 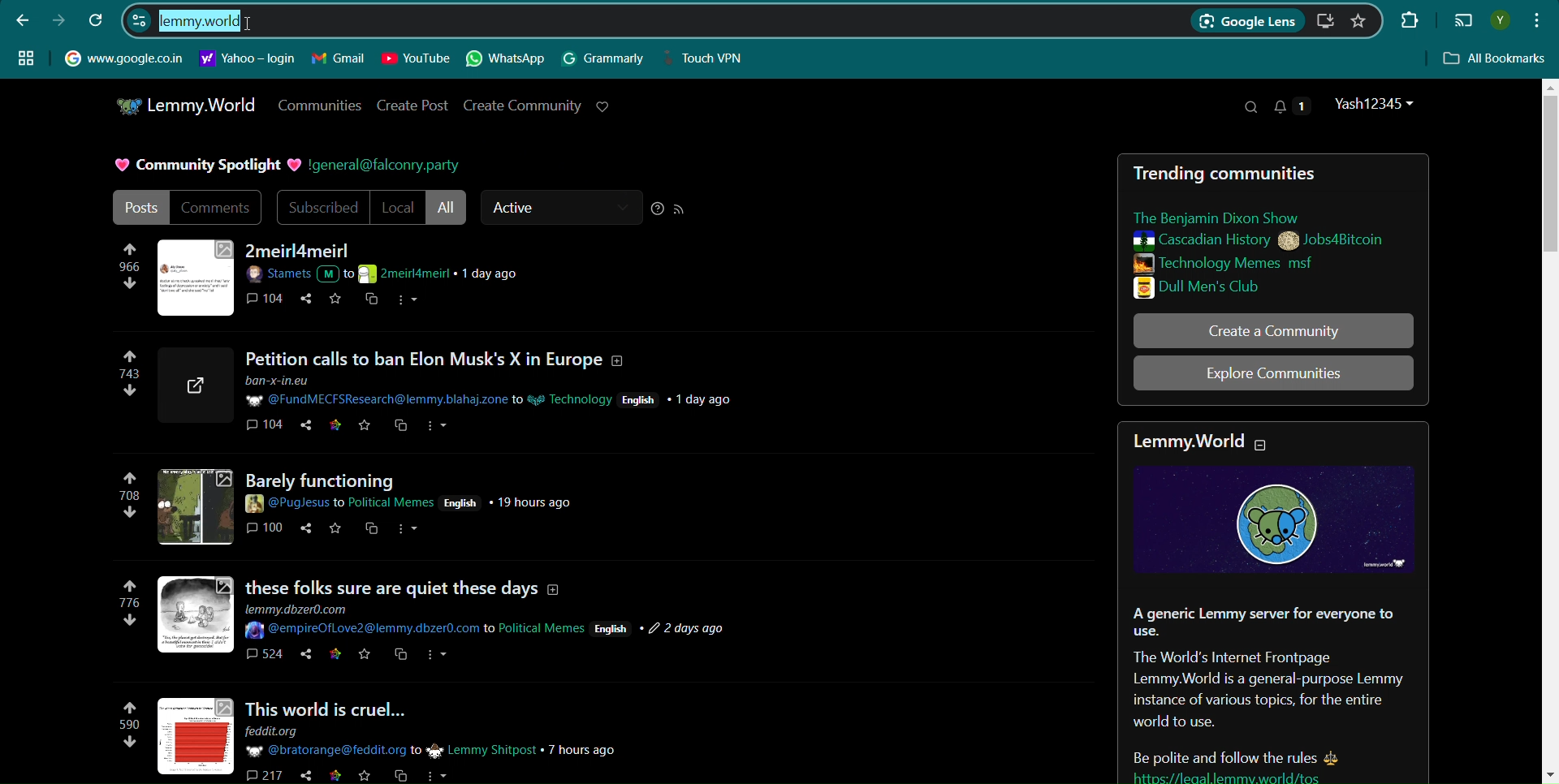 What do you see at coordinates (1358, 20) in the screenshot?
I see `Bookmark this tab` at bounding box center [1358, 20].